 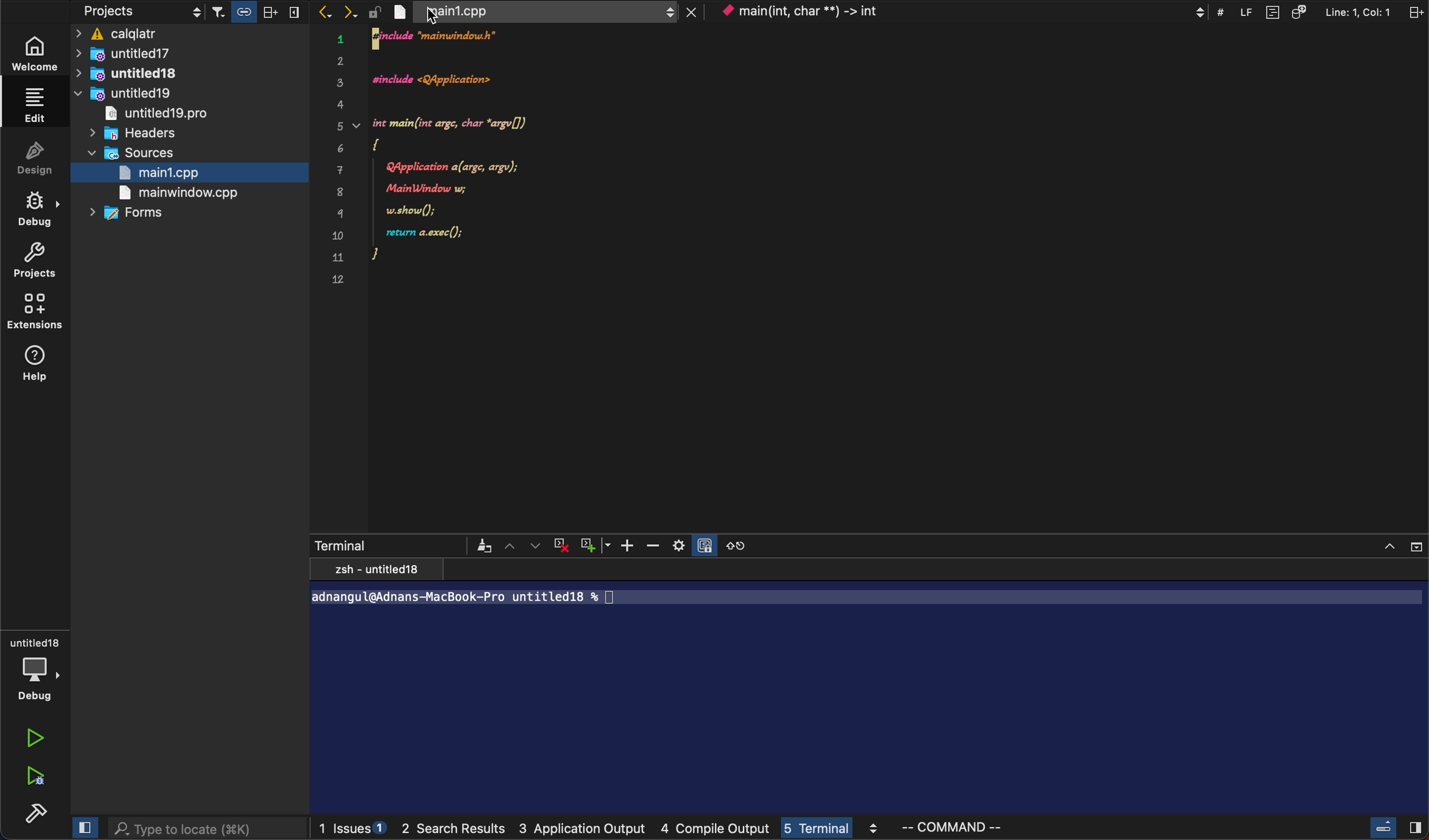 I want to click on zoom out, so click(x=656, y=546).